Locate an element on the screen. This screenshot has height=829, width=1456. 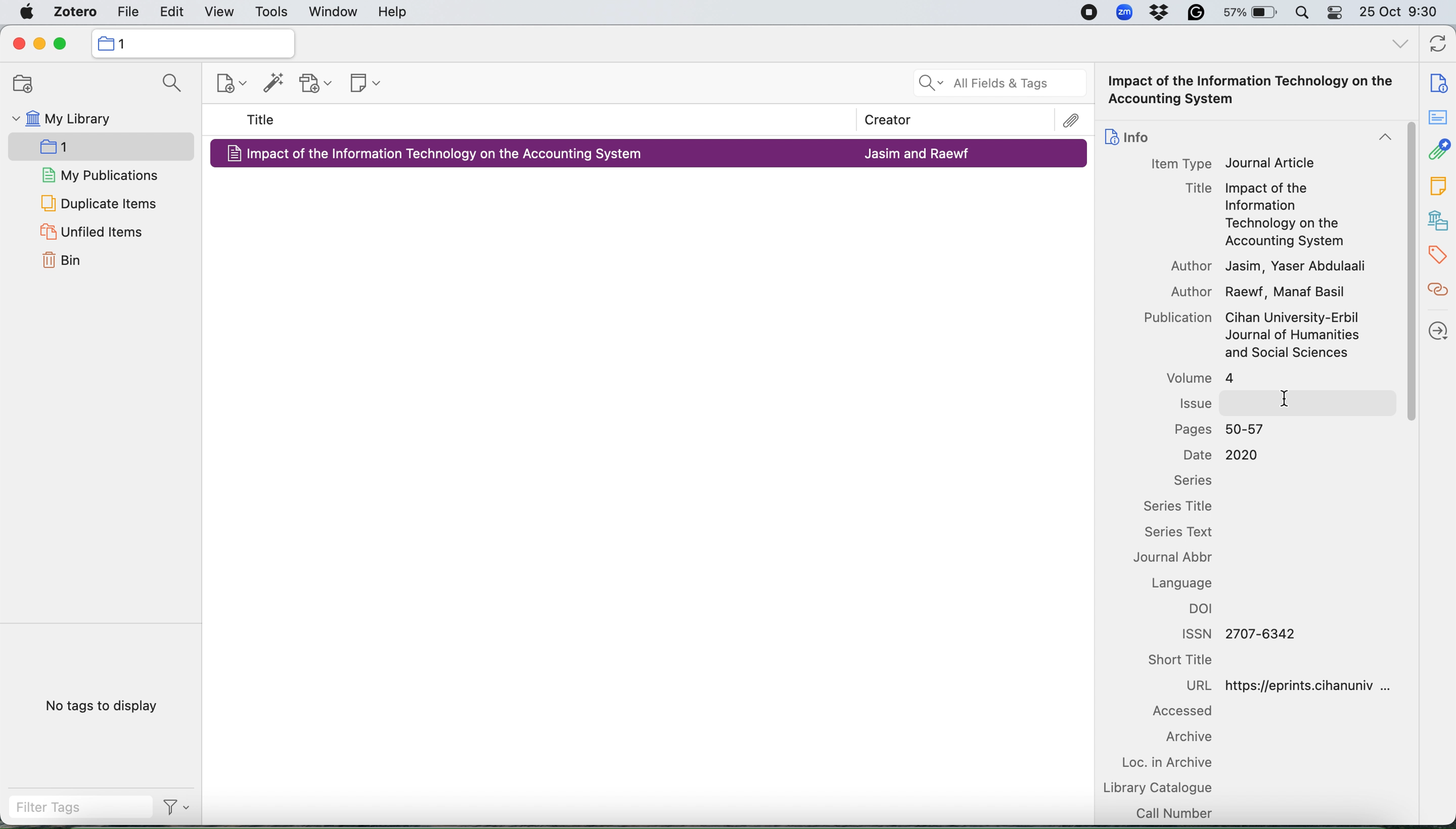
short title is located at coordinates (1191, 661).